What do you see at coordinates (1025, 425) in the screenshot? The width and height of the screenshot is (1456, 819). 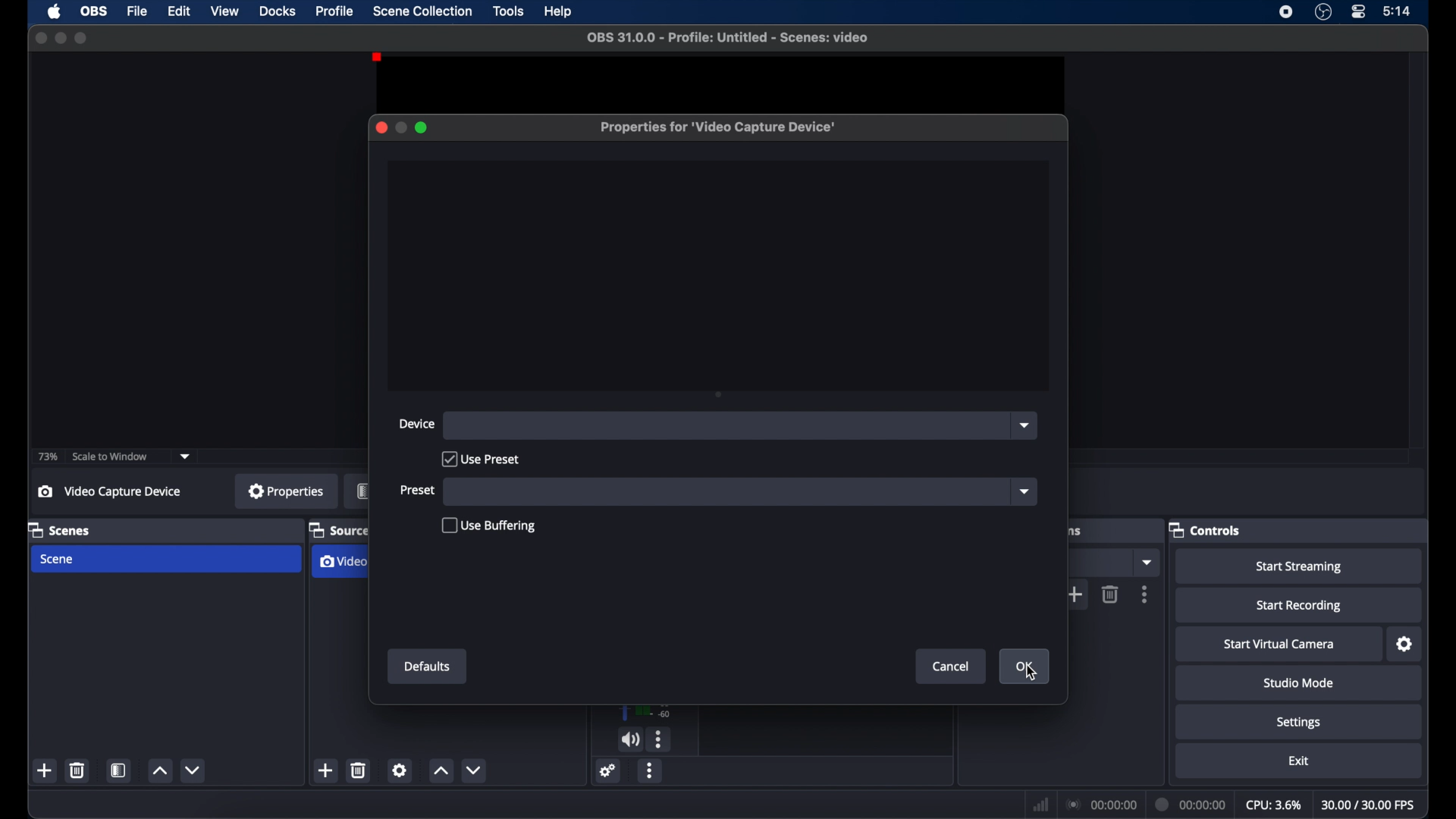 I see `dropdown` at bounding box center [1025, 425].